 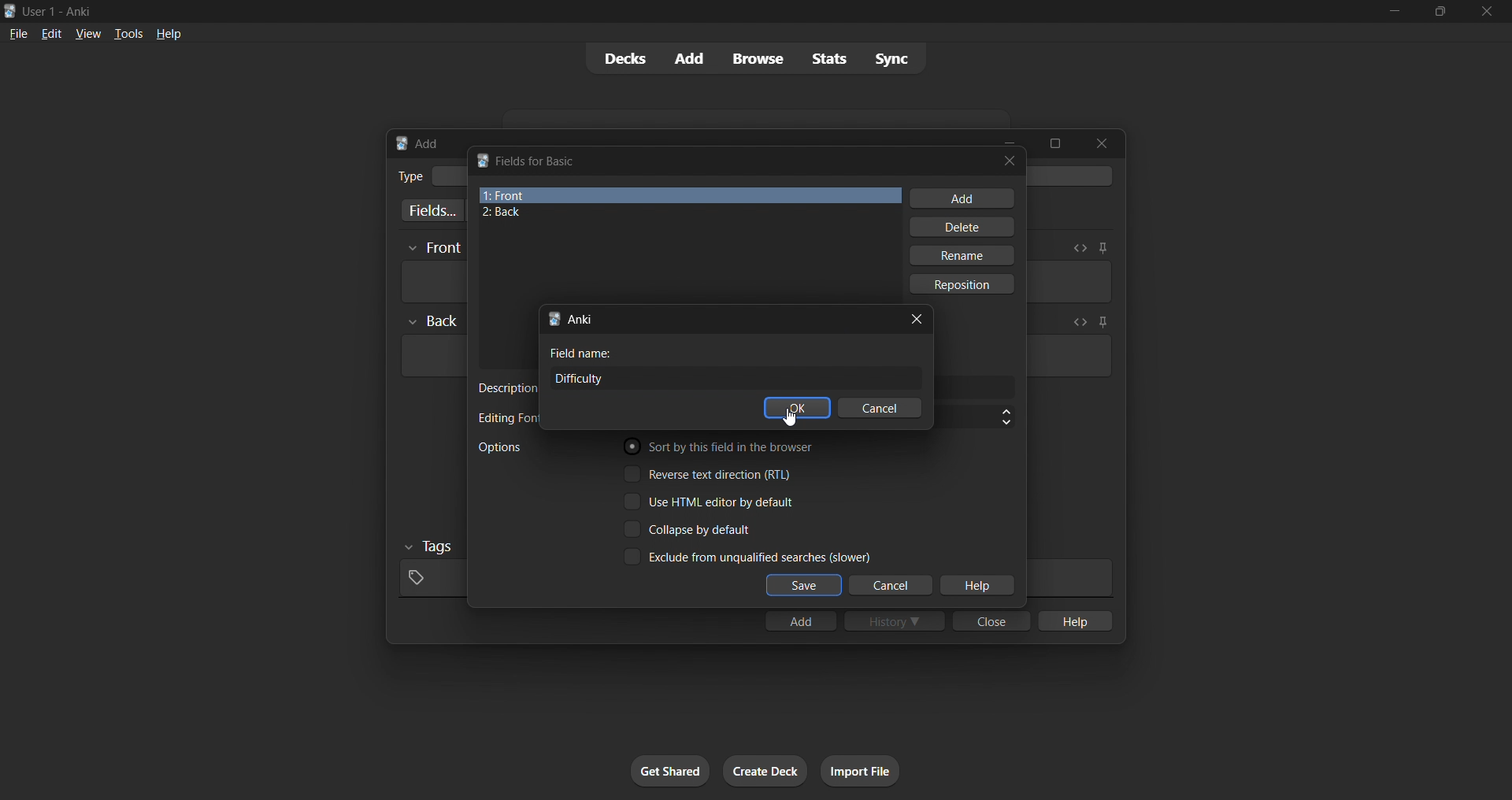 What do you see at coordinates (828, 58) in the screenshot?
I see `stats` at bounding box center [828, 58].